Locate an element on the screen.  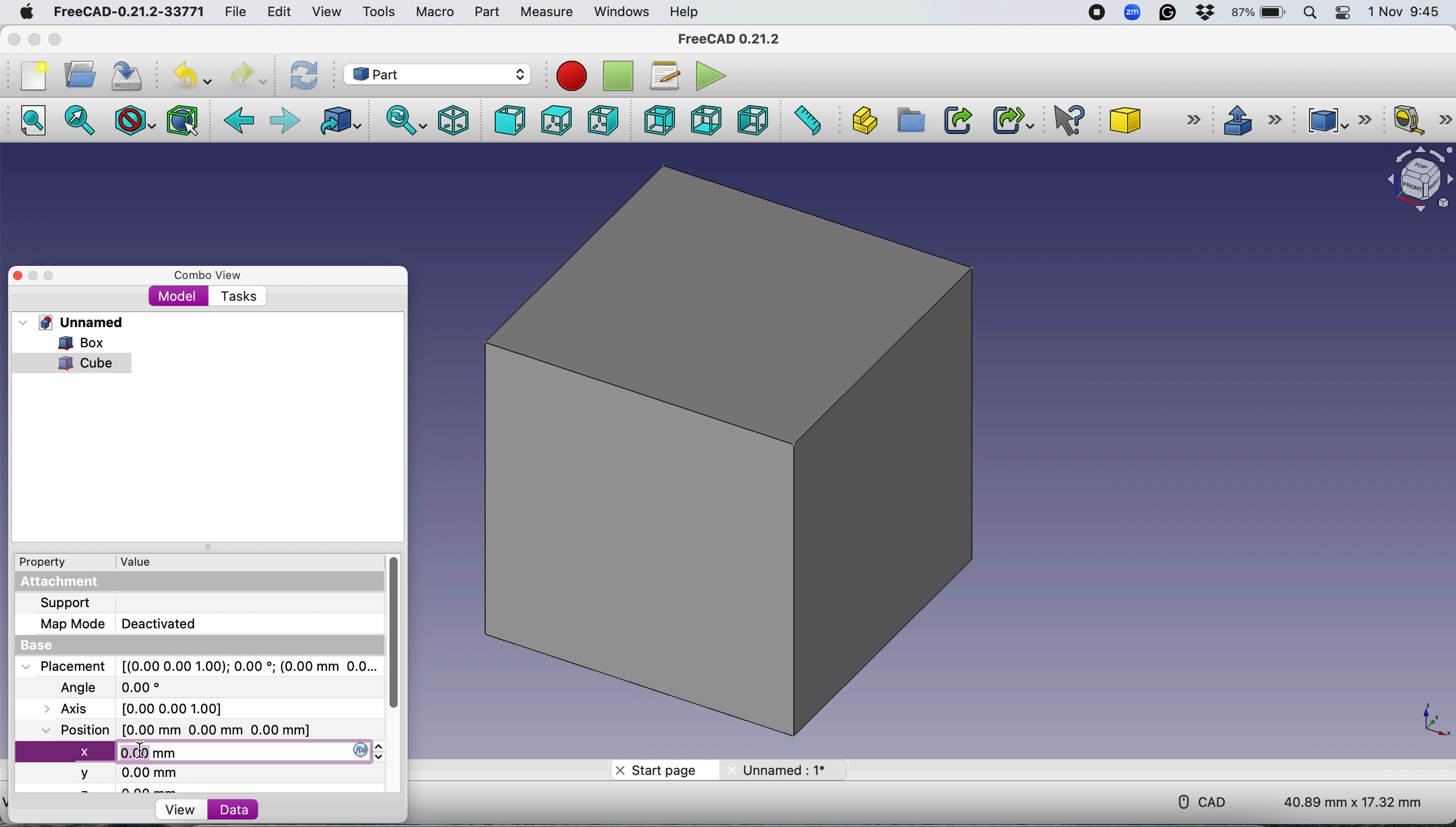
Measure distance is located at coordinates (806, 119).